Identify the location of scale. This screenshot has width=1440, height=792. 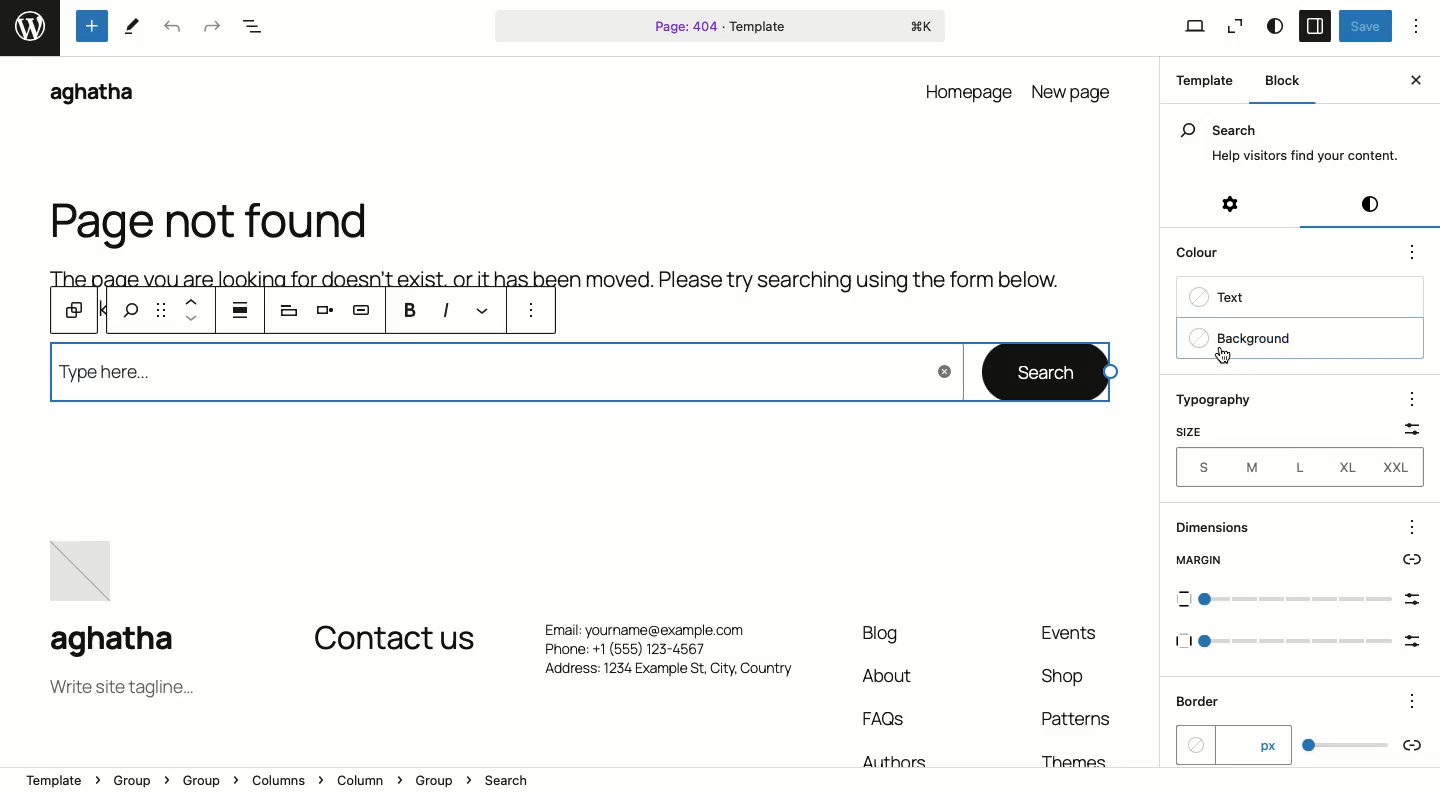
(1363, 744).